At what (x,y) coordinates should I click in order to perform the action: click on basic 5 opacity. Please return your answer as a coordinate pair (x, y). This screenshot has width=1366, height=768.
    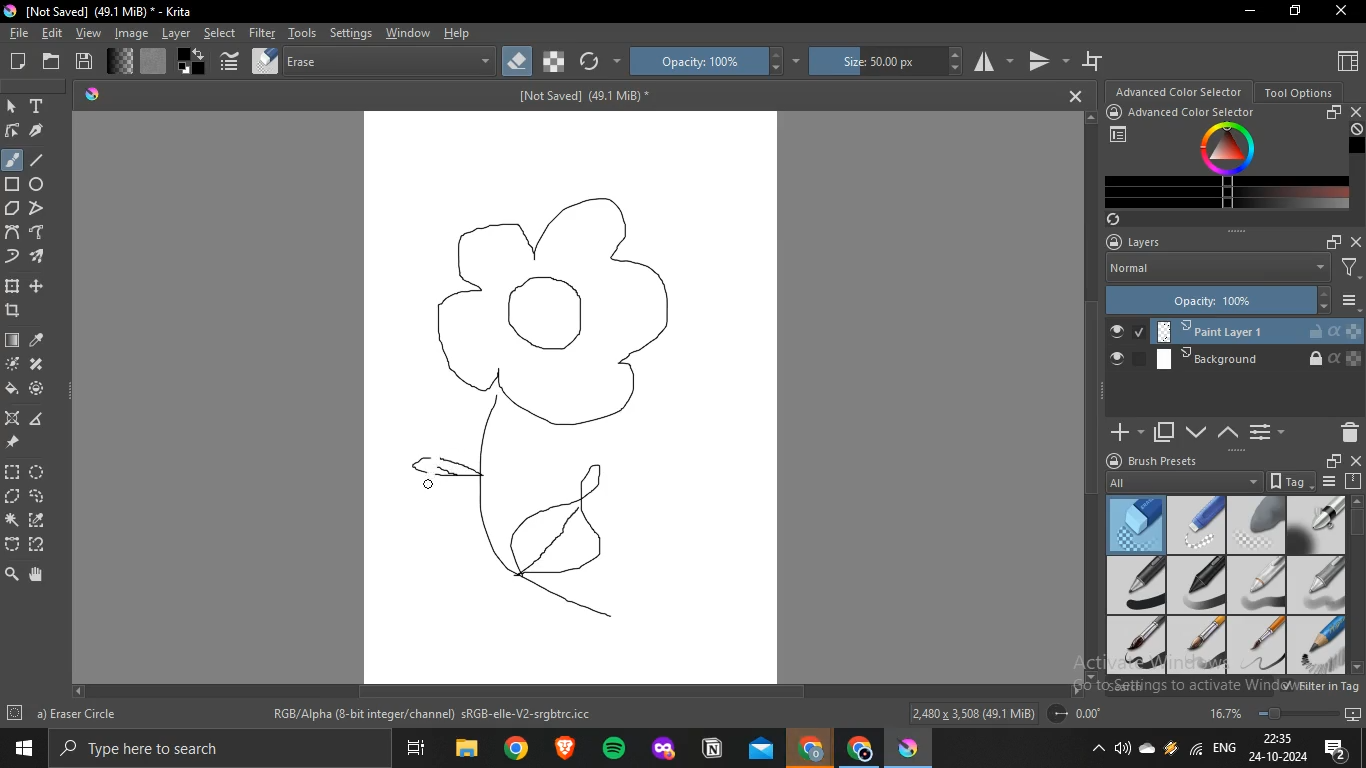
    Looking at the image, I should click on (1194, 646).